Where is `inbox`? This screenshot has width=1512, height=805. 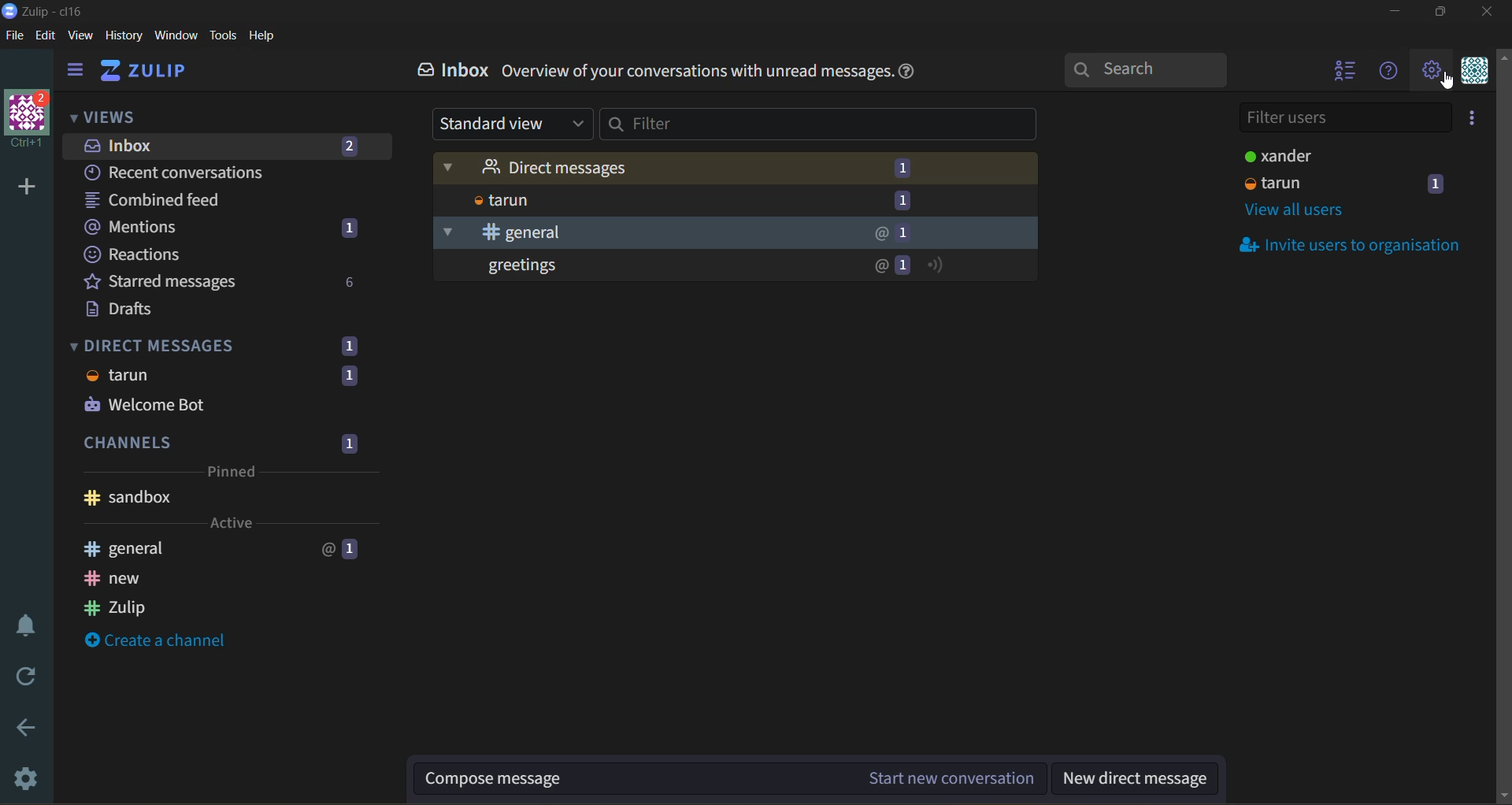
inbox is located at coordinates (231, 147).